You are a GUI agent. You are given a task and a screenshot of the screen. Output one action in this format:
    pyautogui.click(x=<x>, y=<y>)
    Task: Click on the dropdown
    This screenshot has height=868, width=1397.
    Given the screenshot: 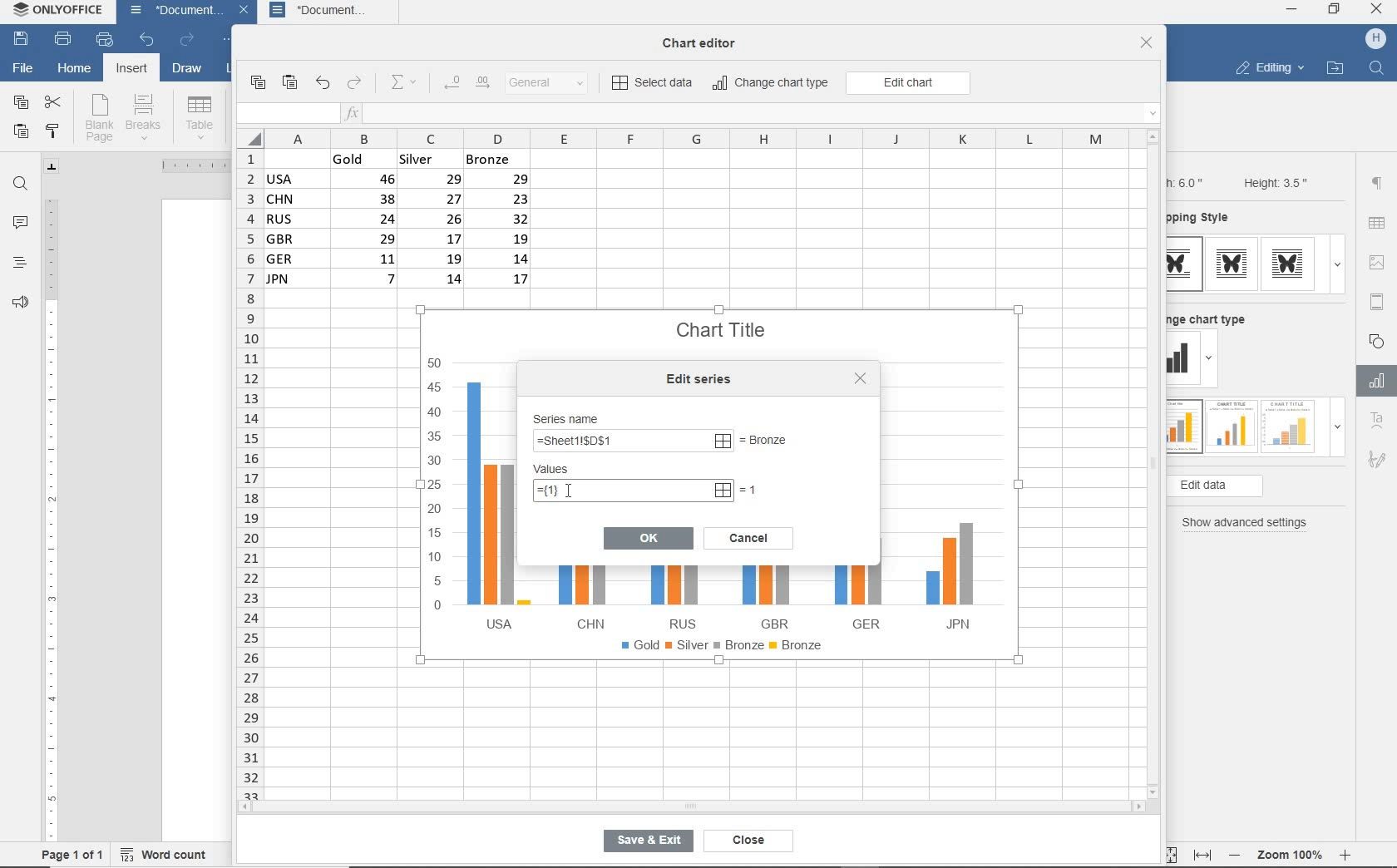 What is the action you would take?
    pyautogui.click(x=1337, y=264)
    